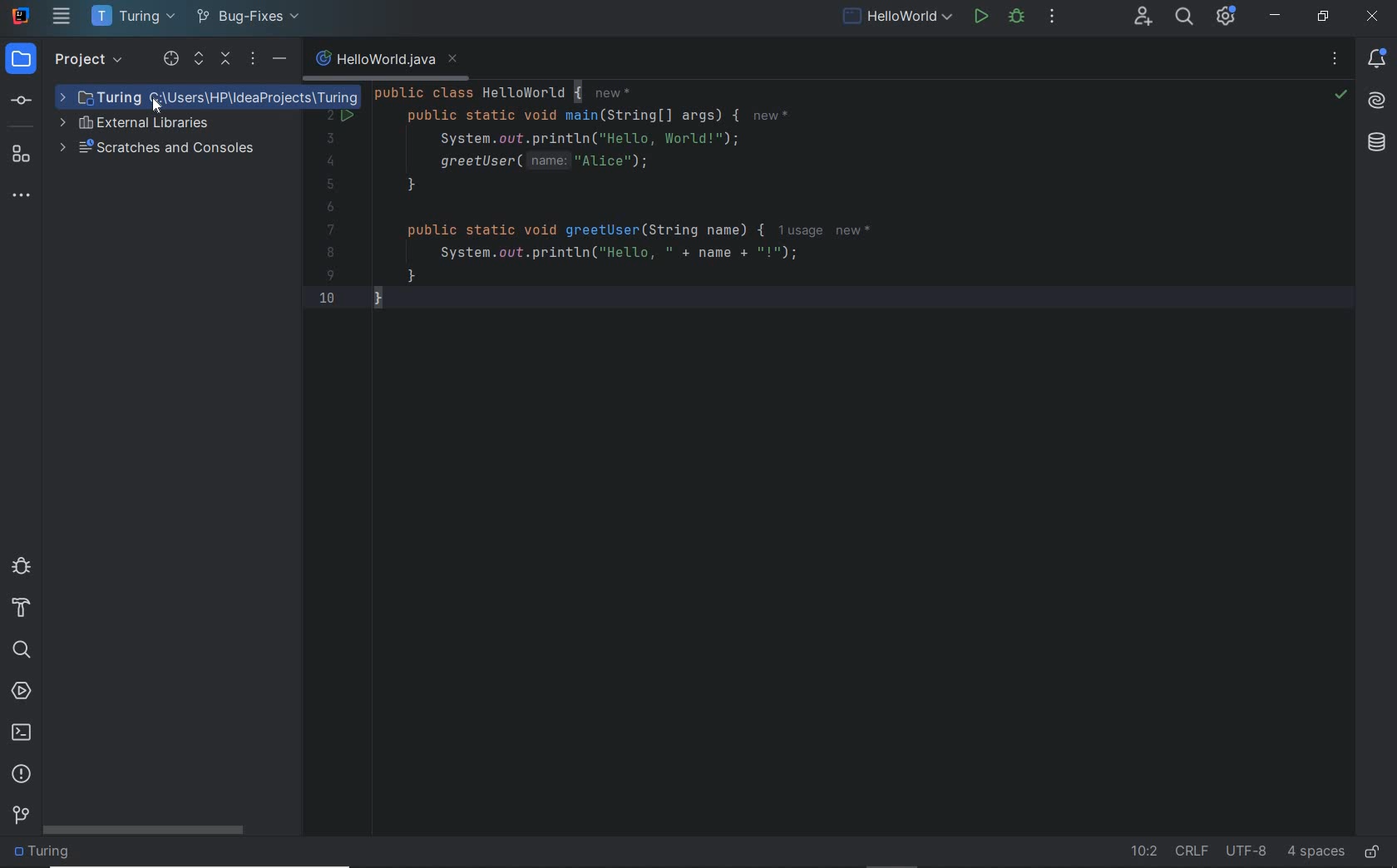  Describe the element at coordinates (1145, 18) in the screenshot. I see `code with me` at that location.